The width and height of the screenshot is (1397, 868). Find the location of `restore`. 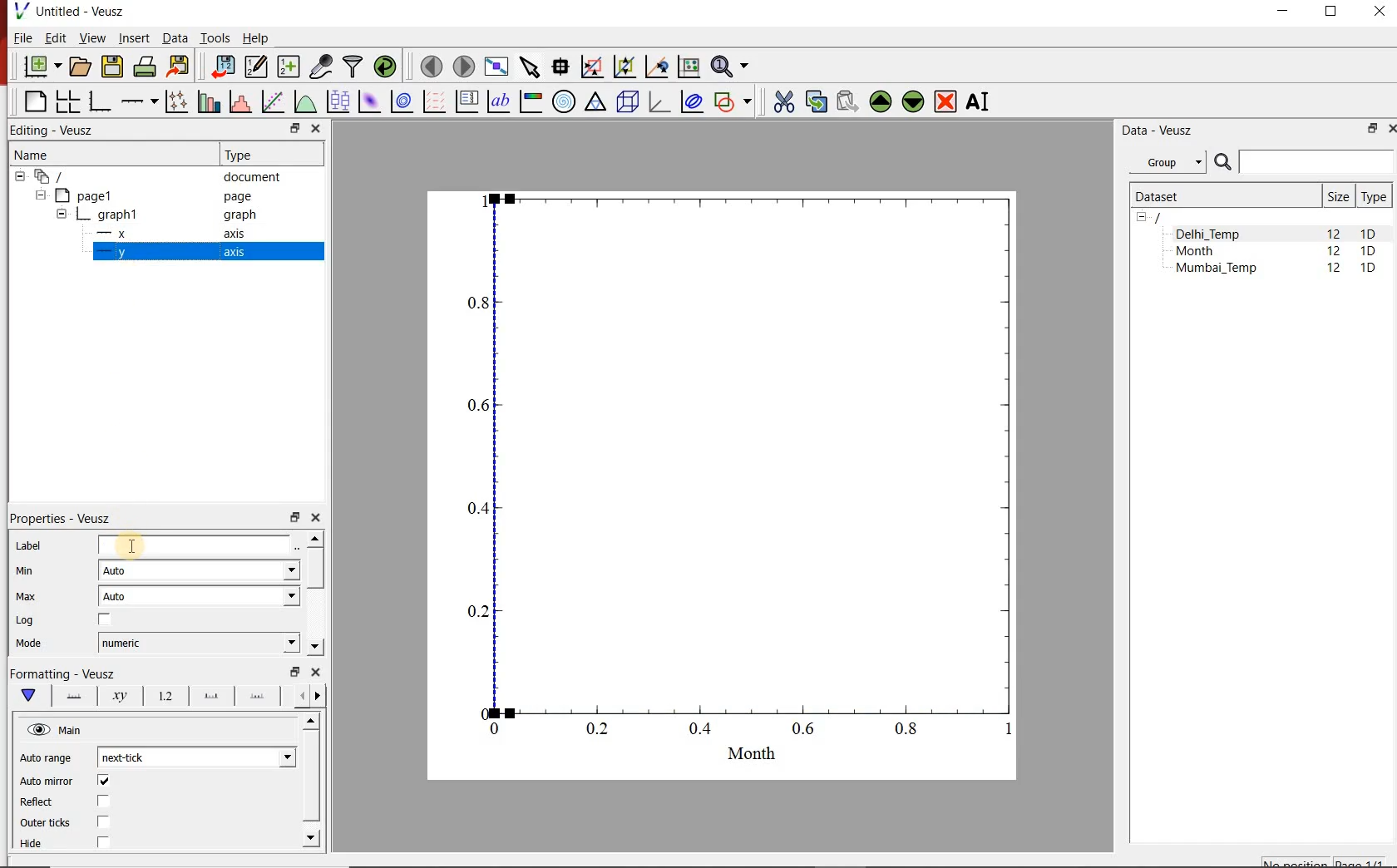

restore is located at coordinates (294, 516).